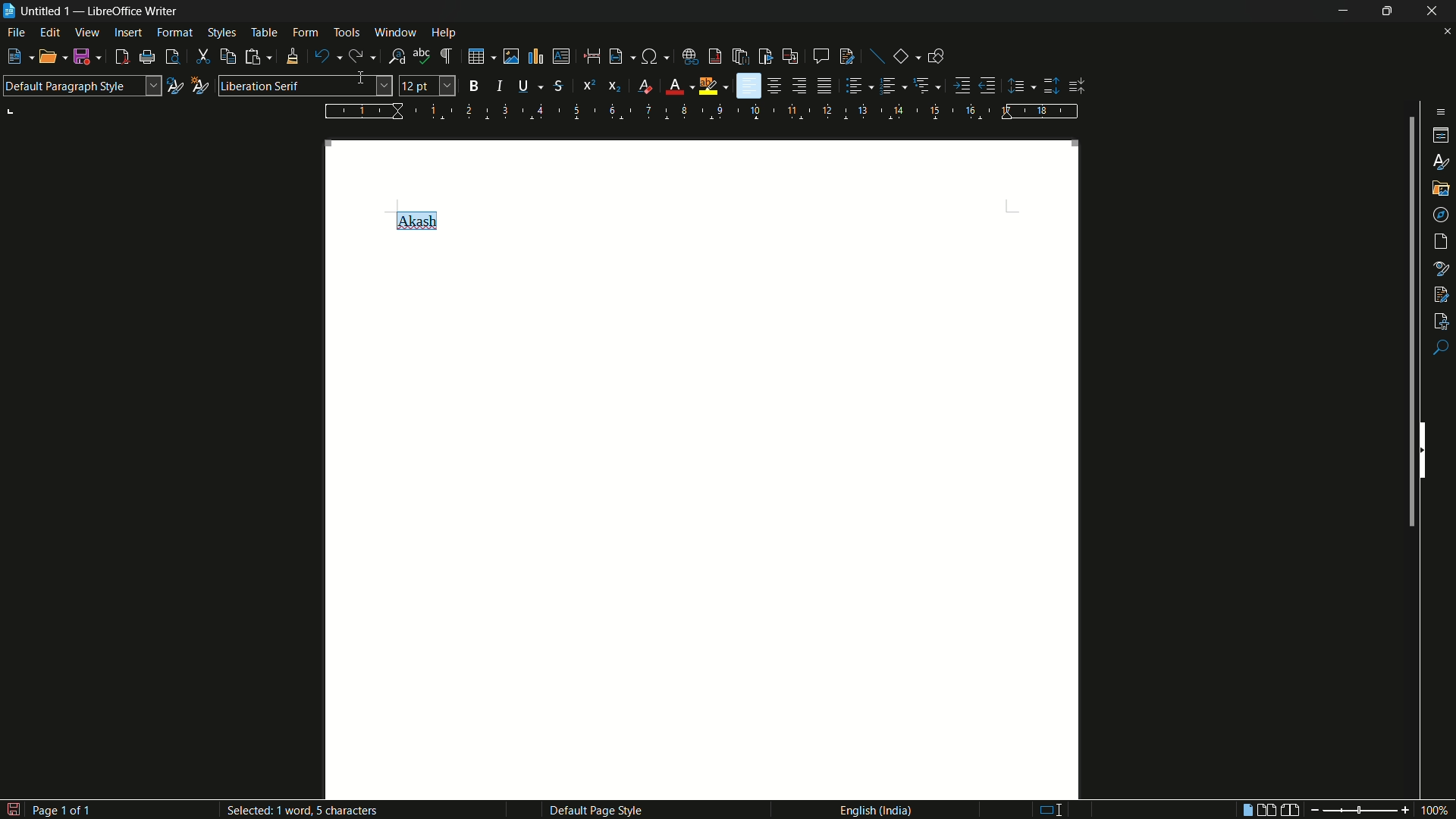 This screenshot has height=819, width=1456. What do you see at coordinates (1404, 810) in the screenshot?
I see `zoom in` at bounding box center [1404, 810].